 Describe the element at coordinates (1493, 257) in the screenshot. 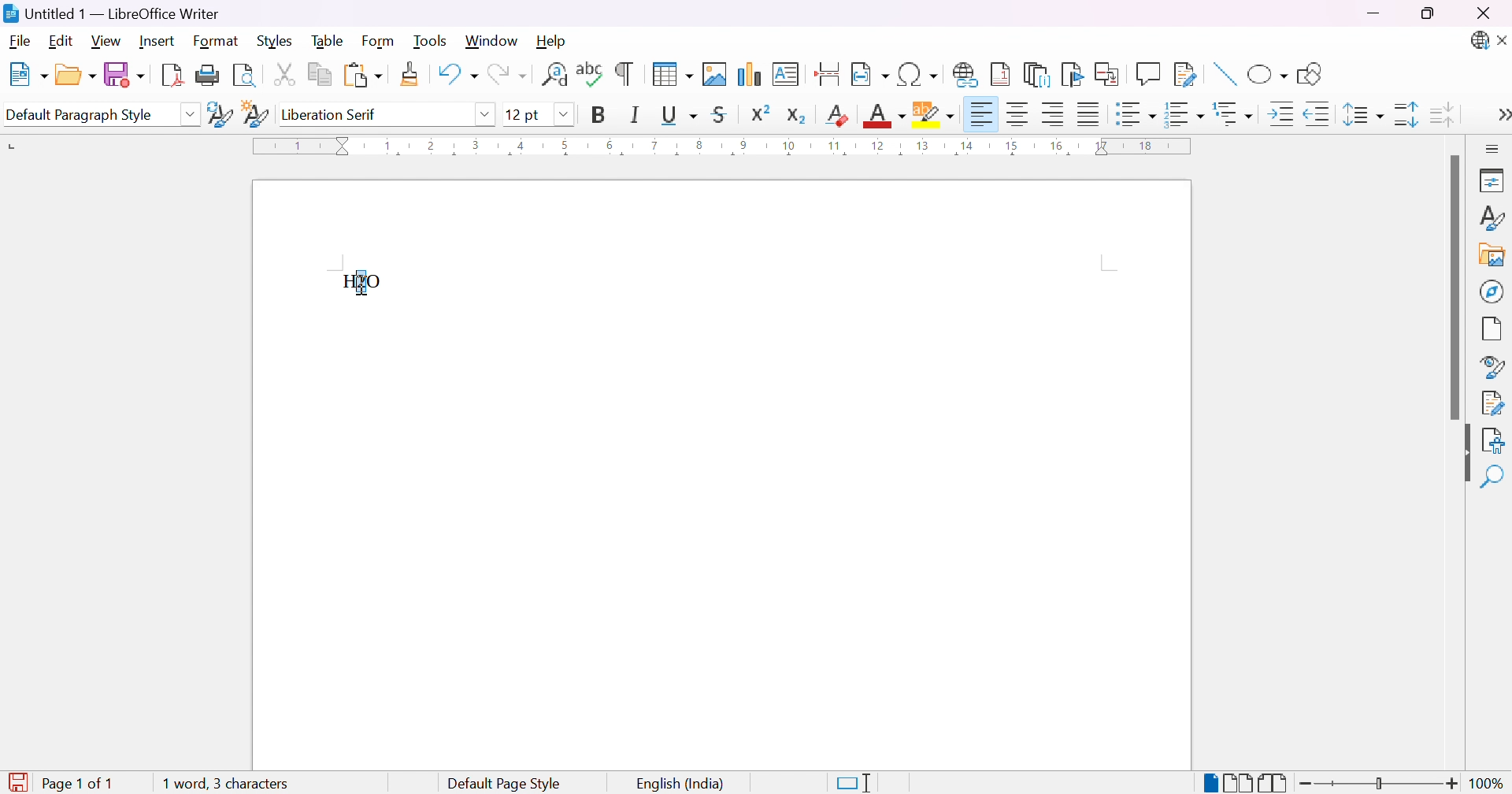

I see `Insert image` at that location.